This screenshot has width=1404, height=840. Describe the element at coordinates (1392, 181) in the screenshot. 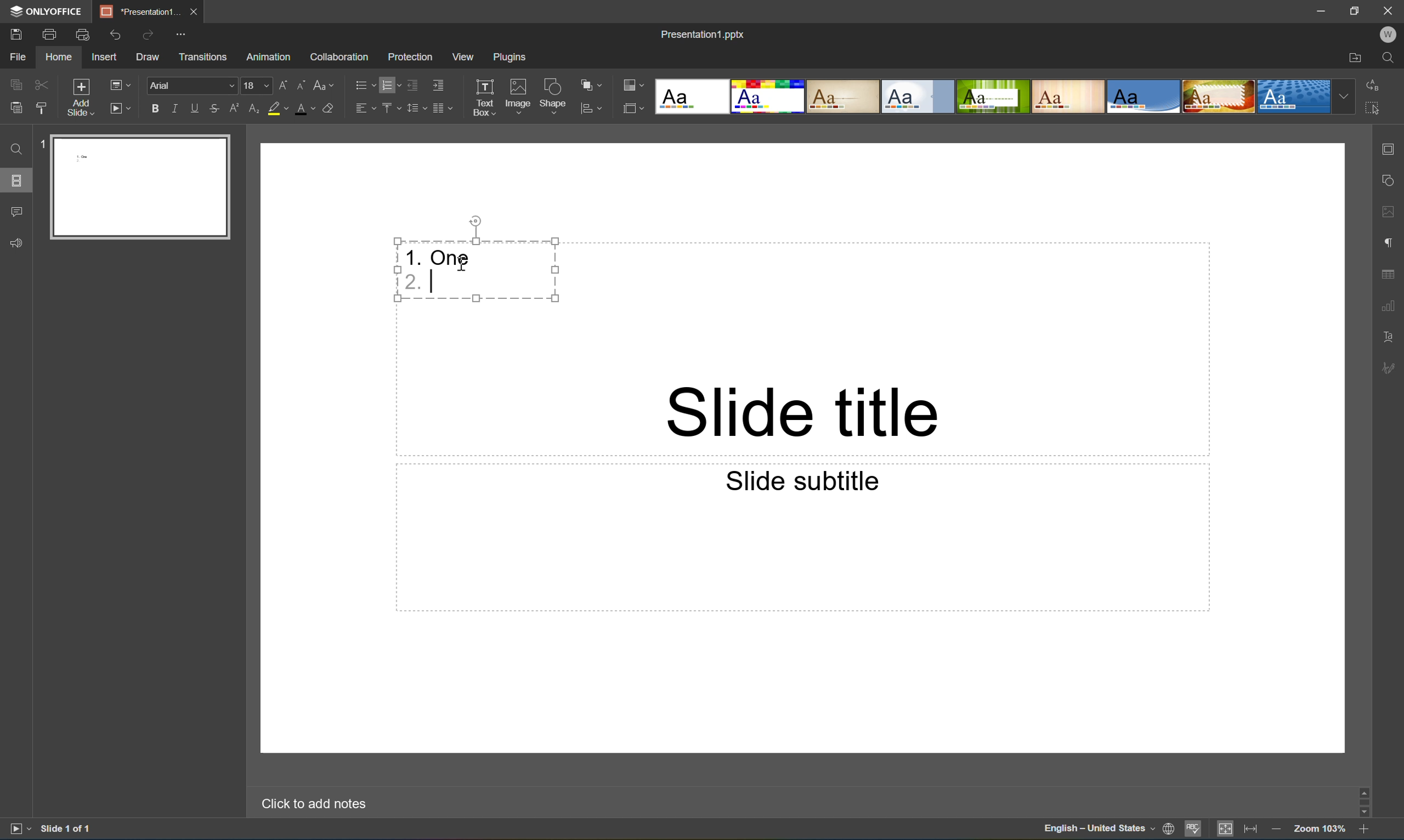

I see `Shape settings` at that location.